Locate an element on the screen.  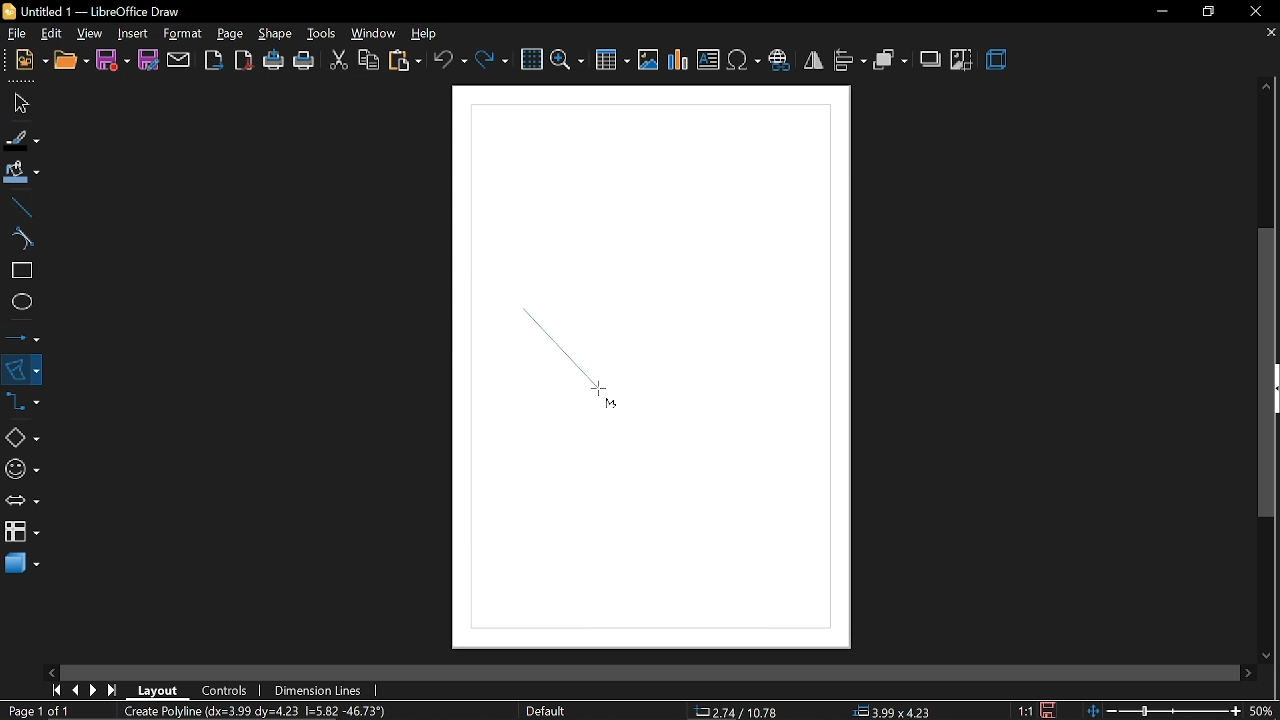
curves and polygons is located at coordinates (22, 369).